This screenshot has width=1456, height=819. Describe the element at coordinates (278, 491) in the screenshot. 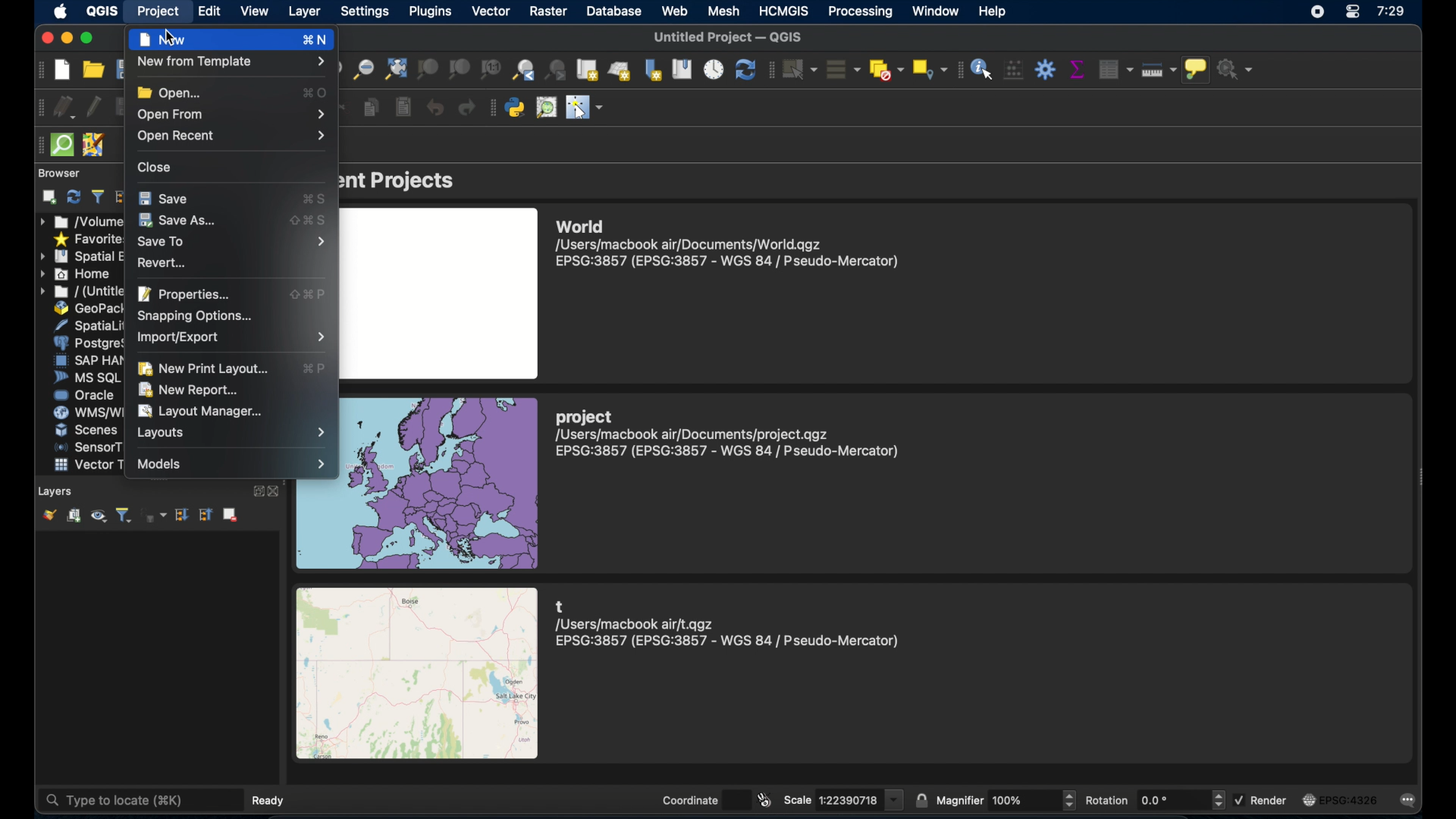

I see `close` at that location.